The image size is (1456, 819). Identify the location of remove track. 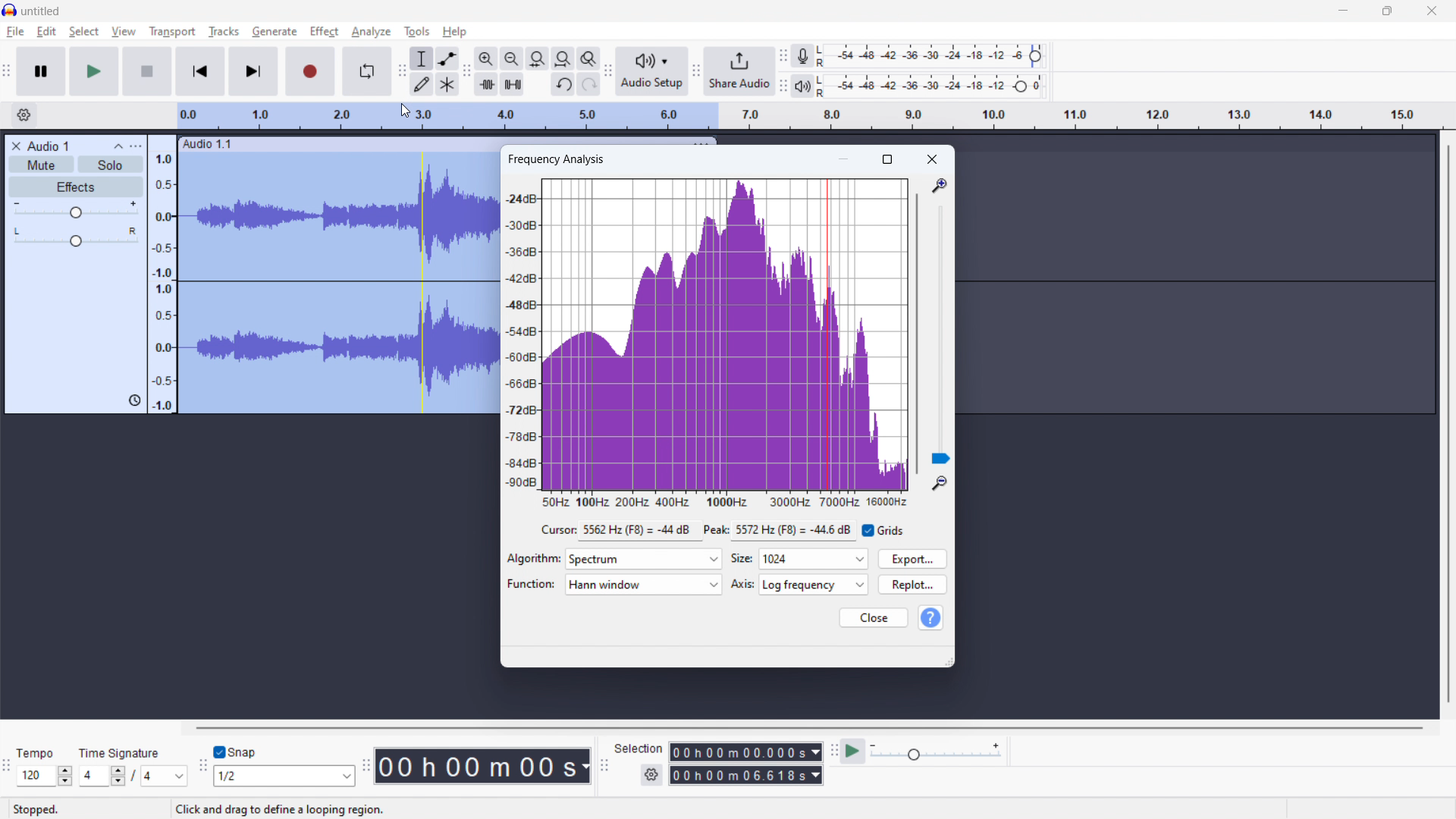
(15, 146).